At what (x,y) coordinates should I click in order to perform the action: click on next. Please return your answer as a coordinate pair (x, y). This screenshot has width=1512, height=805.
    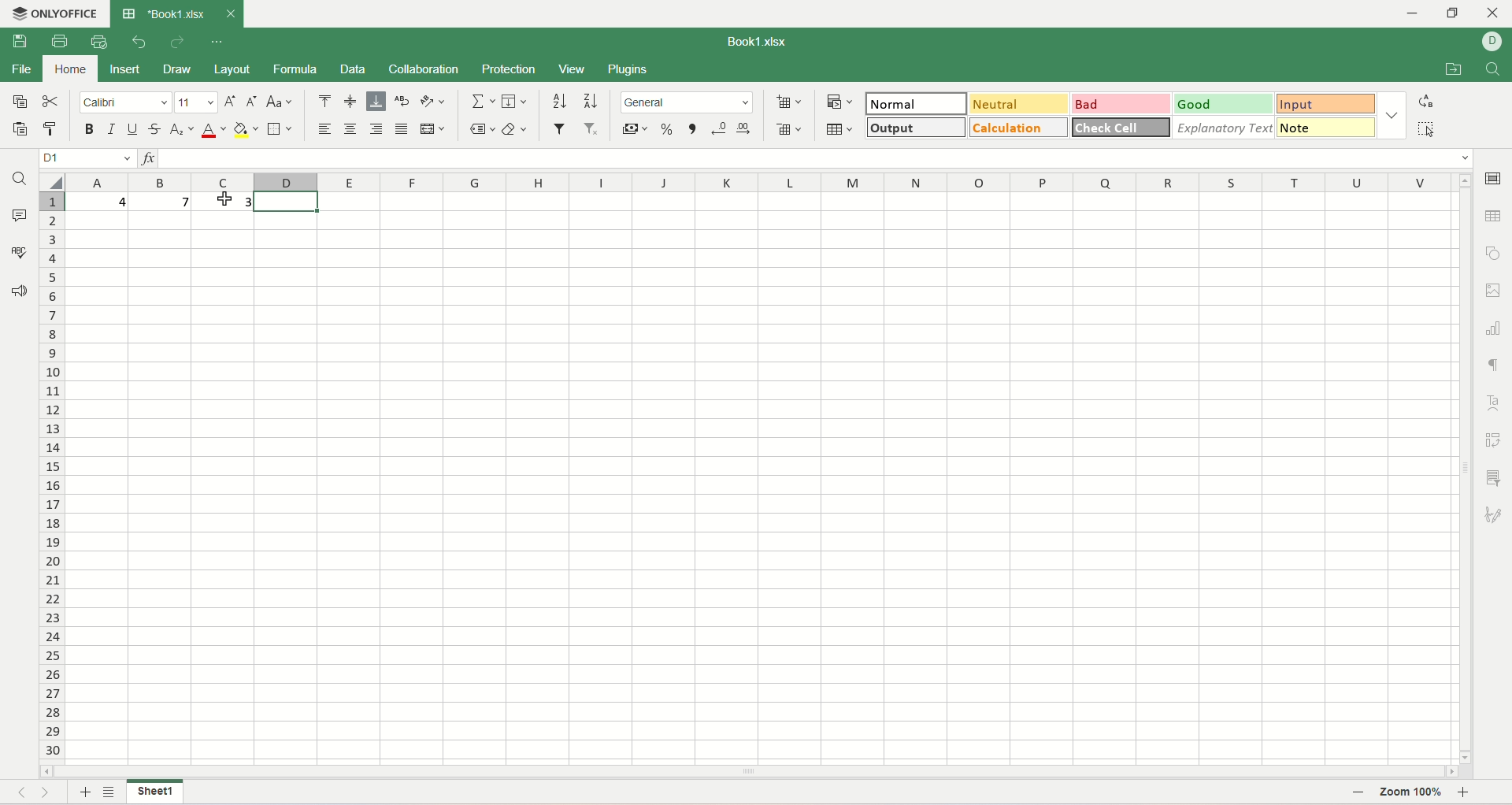
    Looking at the image, I should click on (50, 792).